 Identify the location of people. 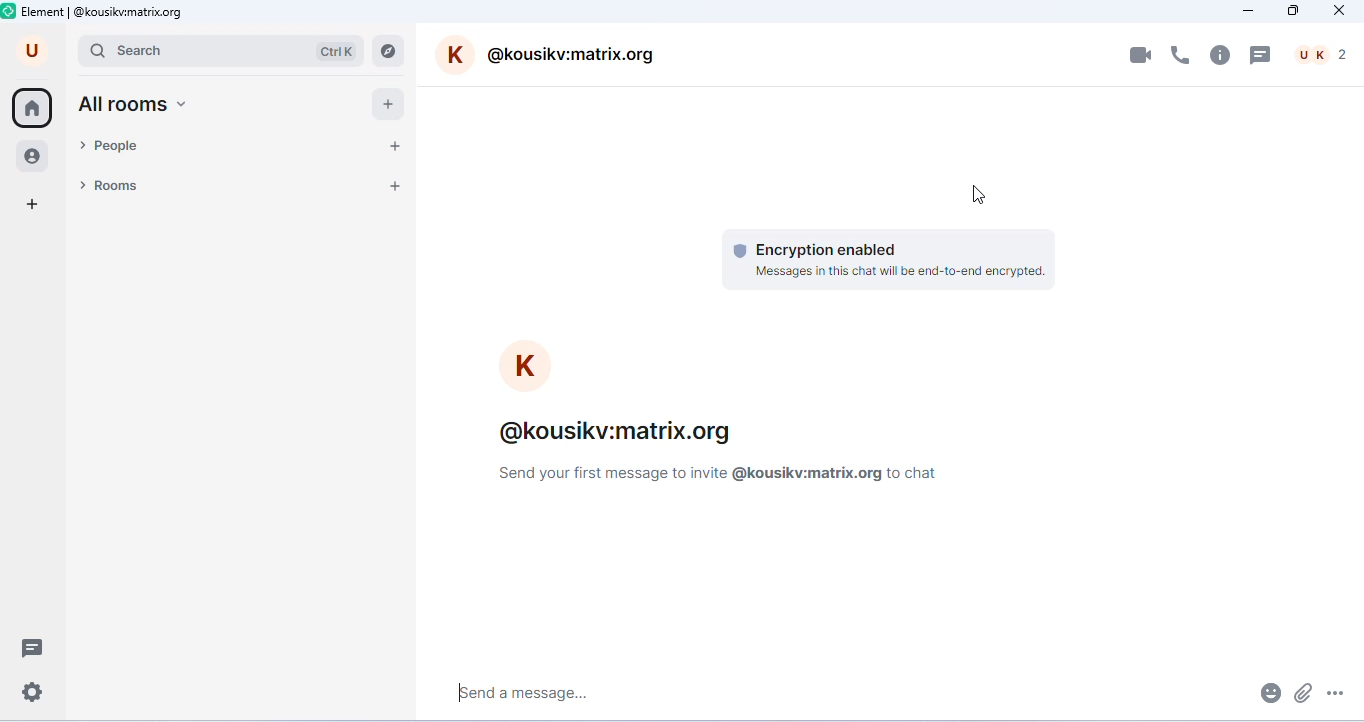
(35, 157).